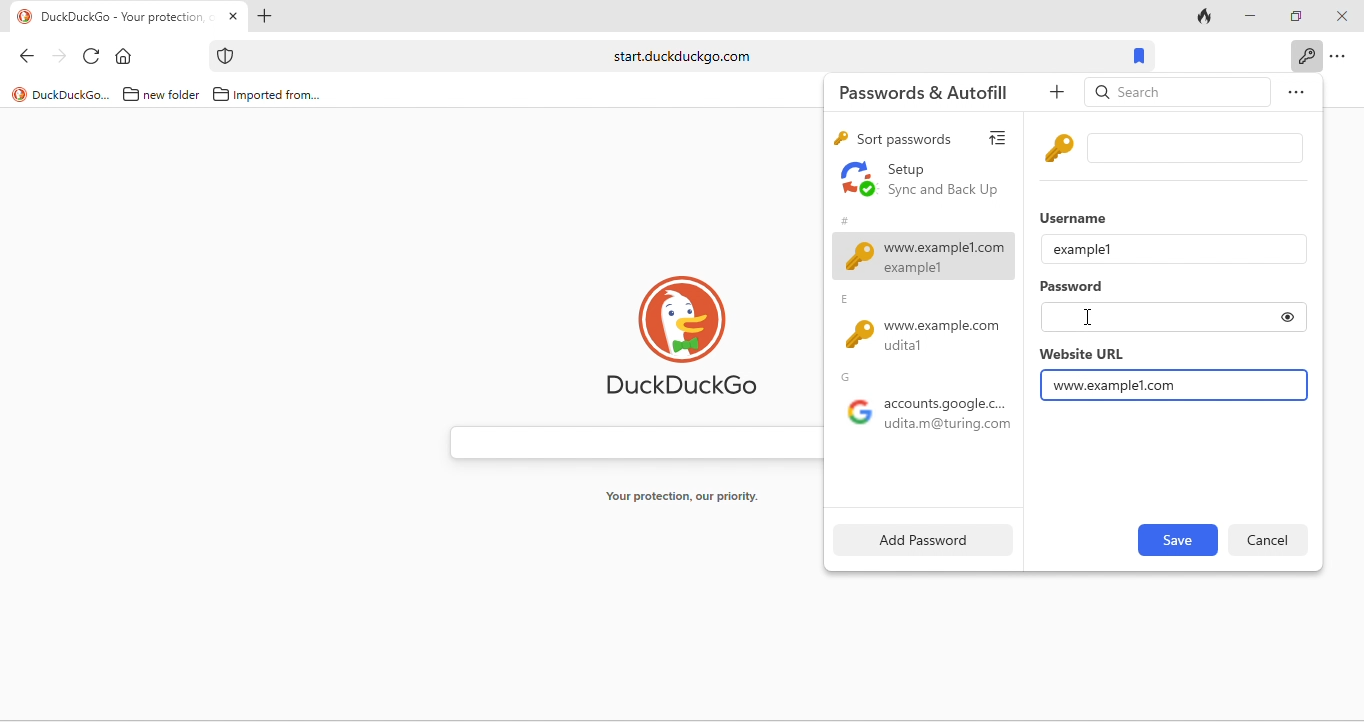  What do you see at coordinates (850, 377) in the screenshot?
I see `g` at bounding box center [850, 377].